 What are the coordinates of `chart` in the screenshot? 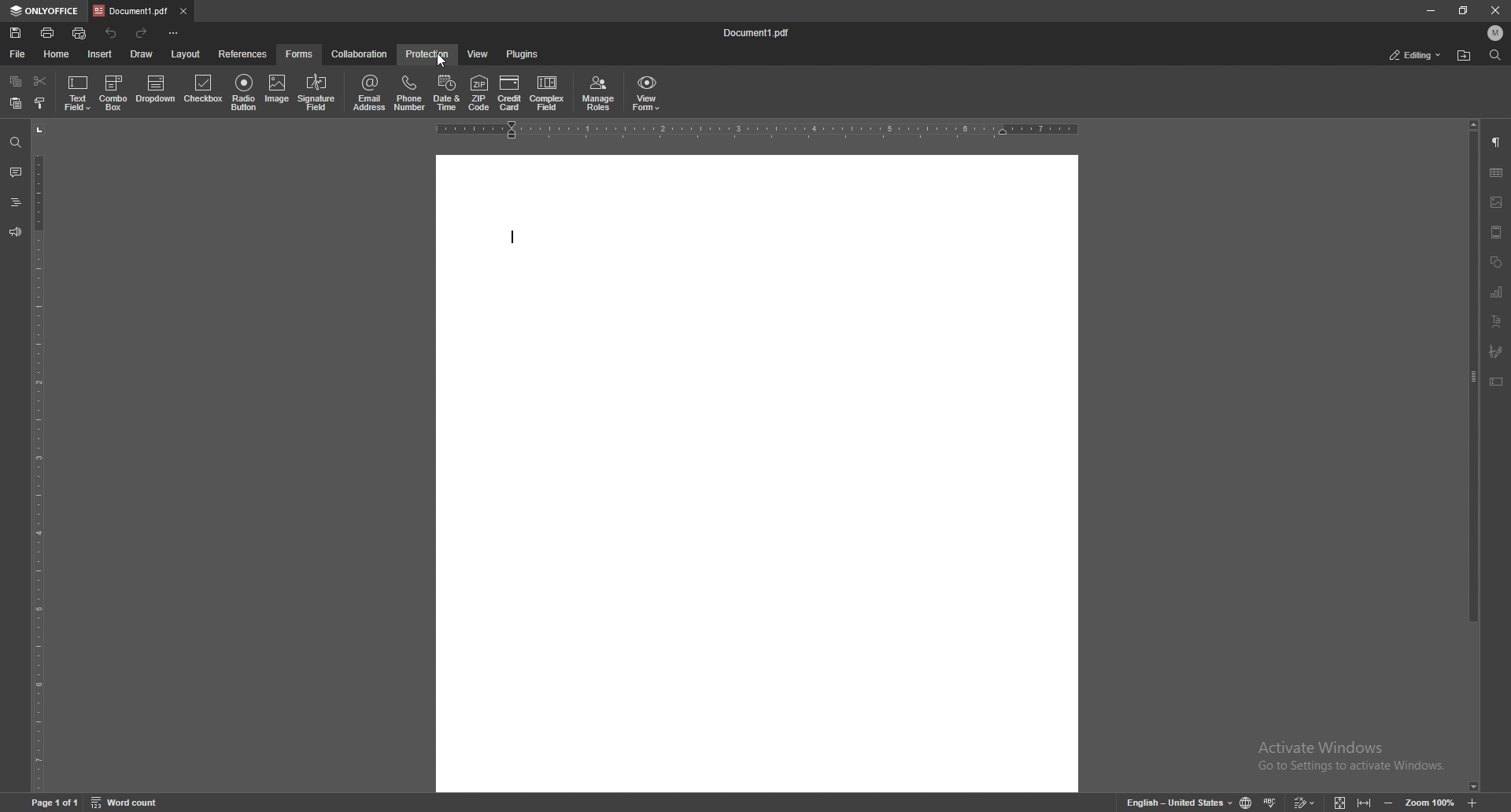 It's located at (1497, 291).